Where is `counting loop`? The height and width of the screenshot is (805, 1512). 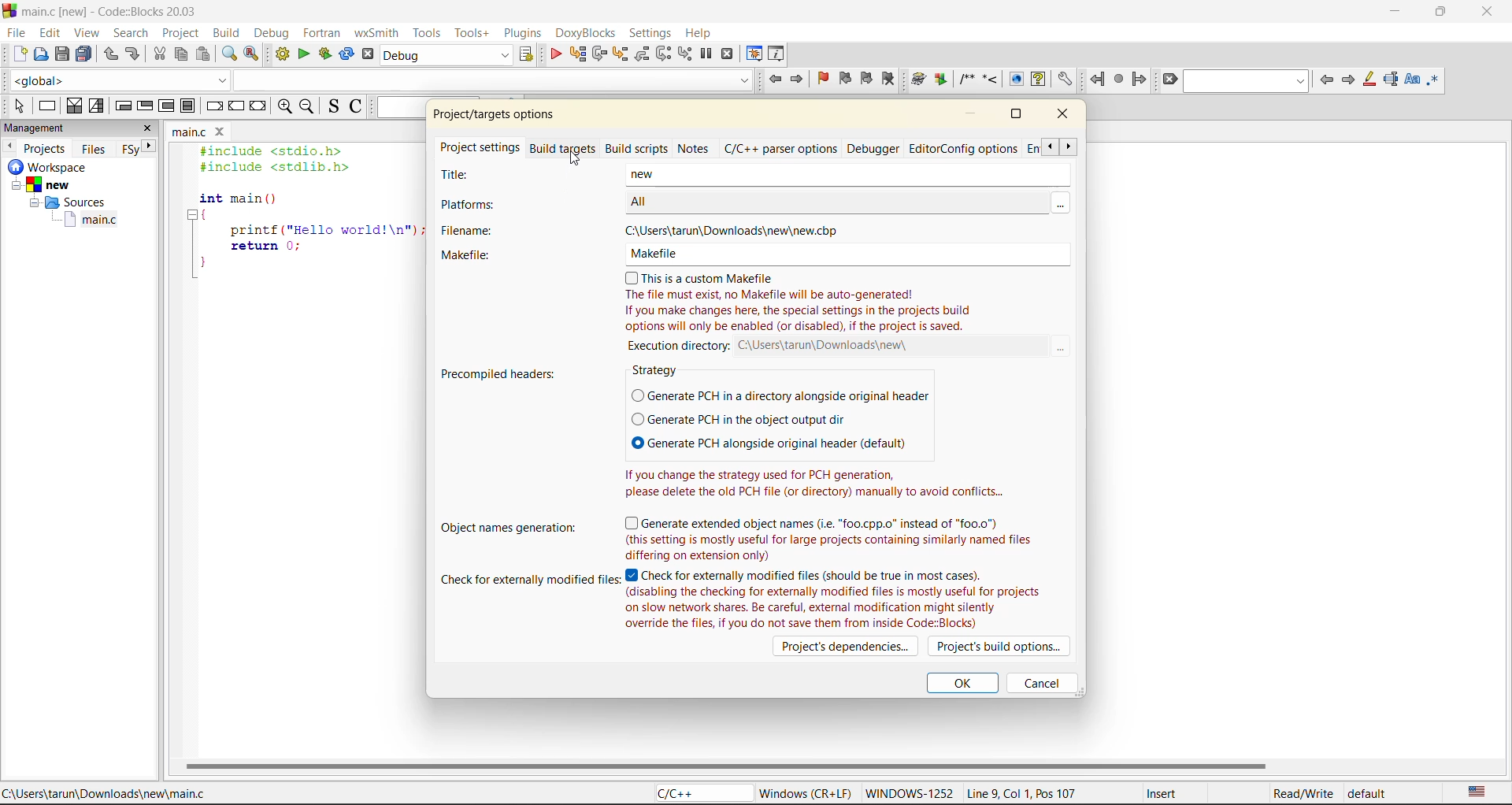 counting loop is located at coordinates (166, 107).